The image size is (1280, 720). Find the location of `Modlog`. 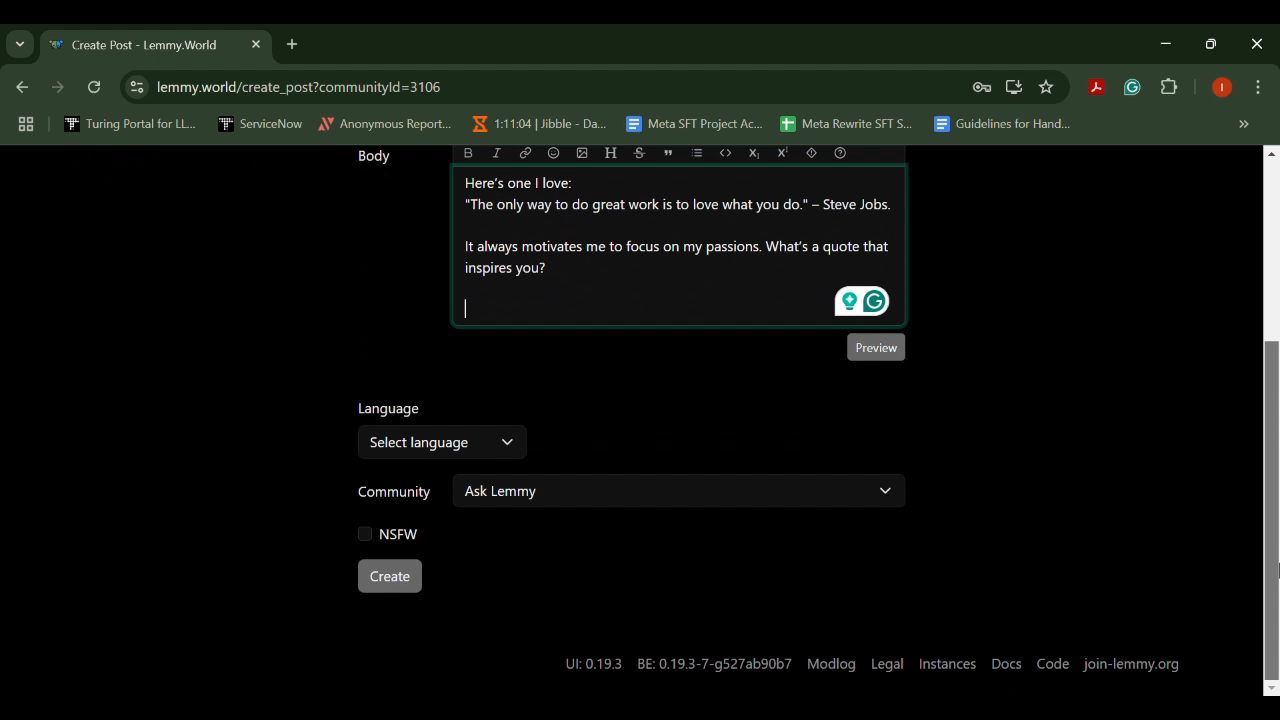

Modlog is located at coordinates (831, 662).